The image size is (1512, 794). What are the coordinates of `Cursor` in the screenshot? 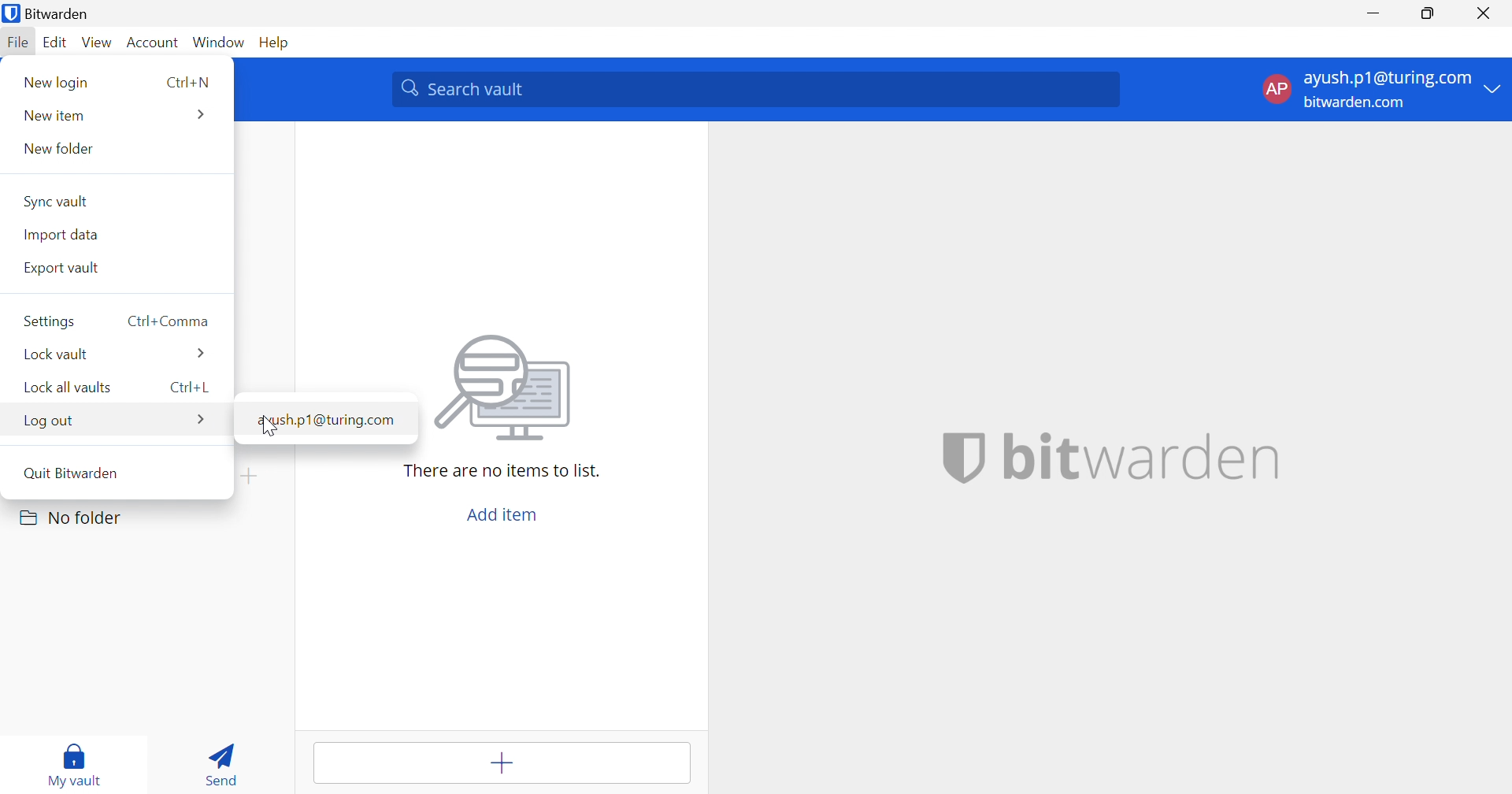 It's located at (269, 426).